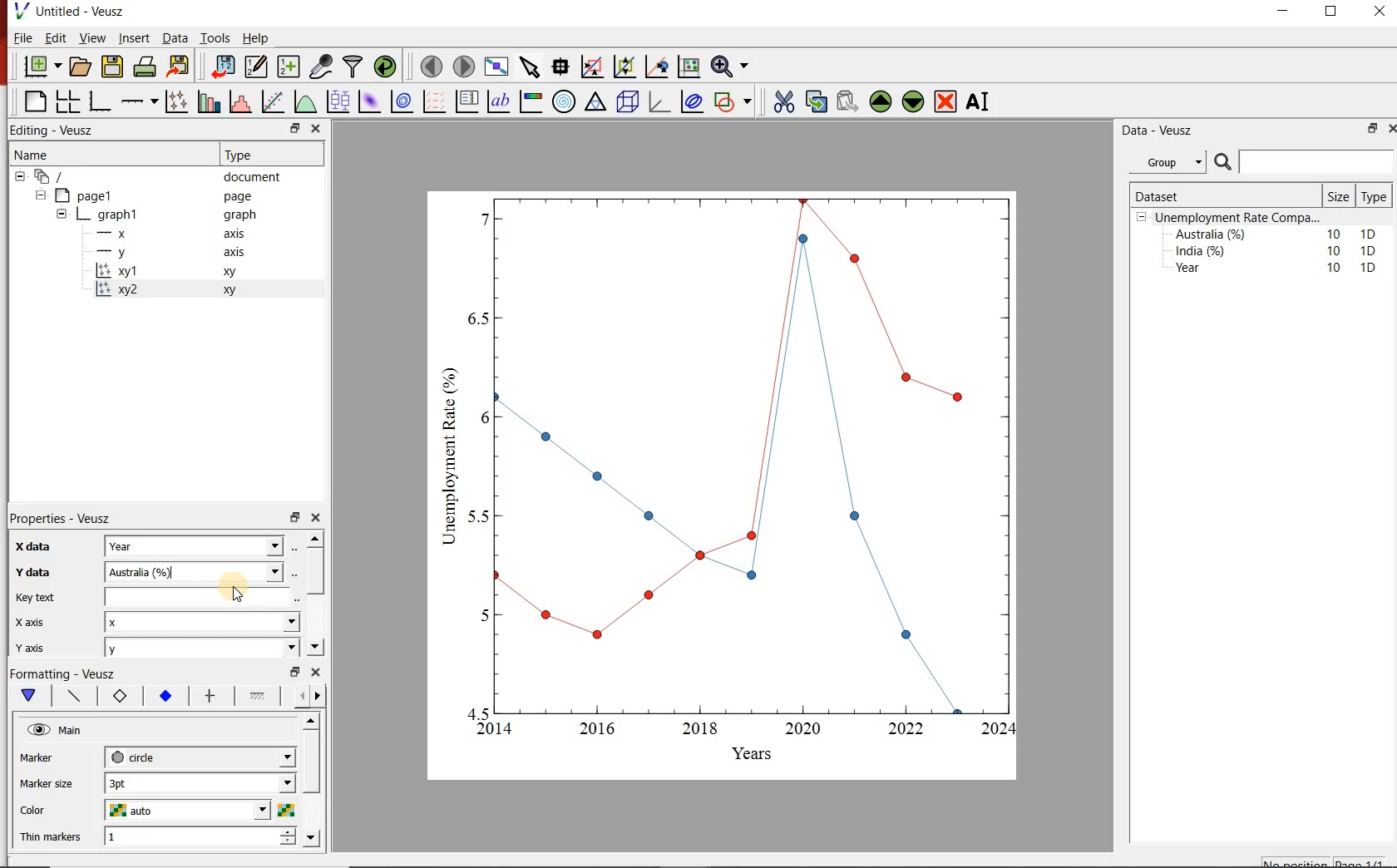 The width and height of the screenshot is (1397, 868). Describe the element at coordinates (67, 101) in the screenshot. I see `arrange graphs` at that location.